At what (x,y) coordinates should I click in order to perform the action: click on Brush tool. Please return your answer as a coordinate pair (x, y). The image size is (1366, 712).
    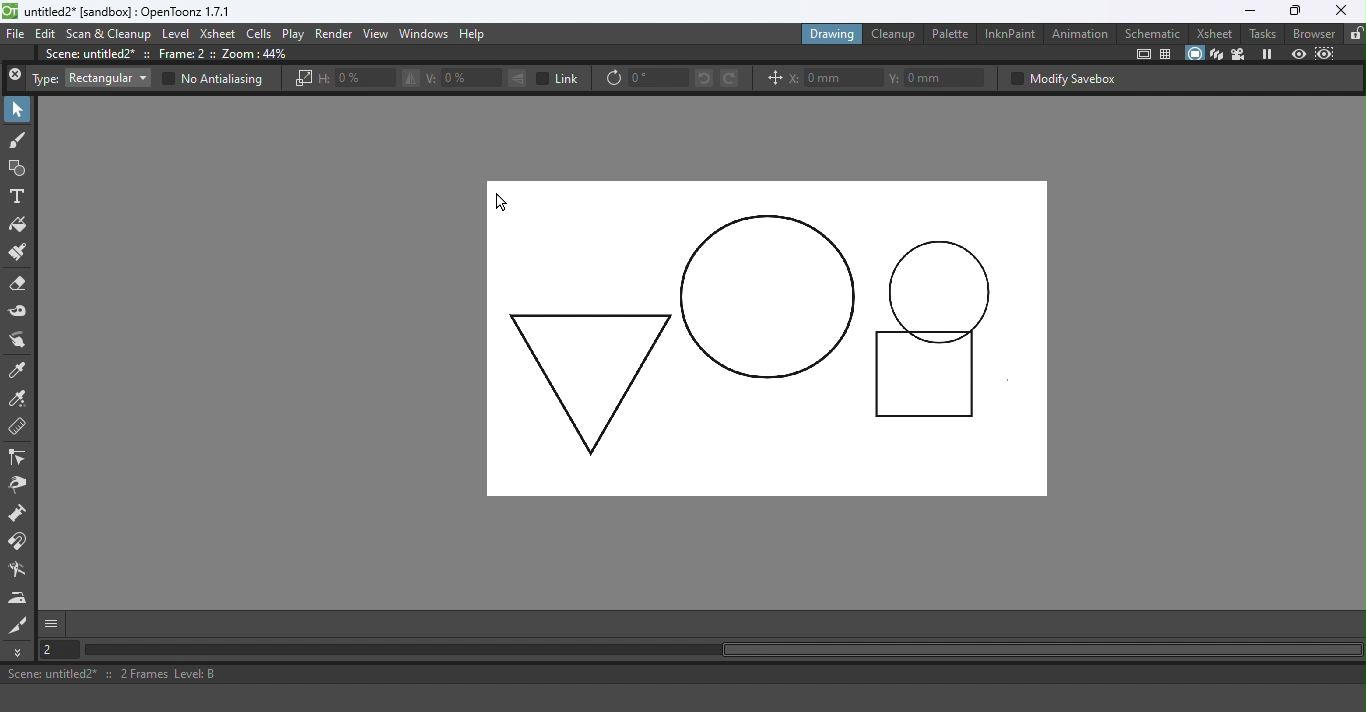
    Looking at the image, I should click on (18, 141).